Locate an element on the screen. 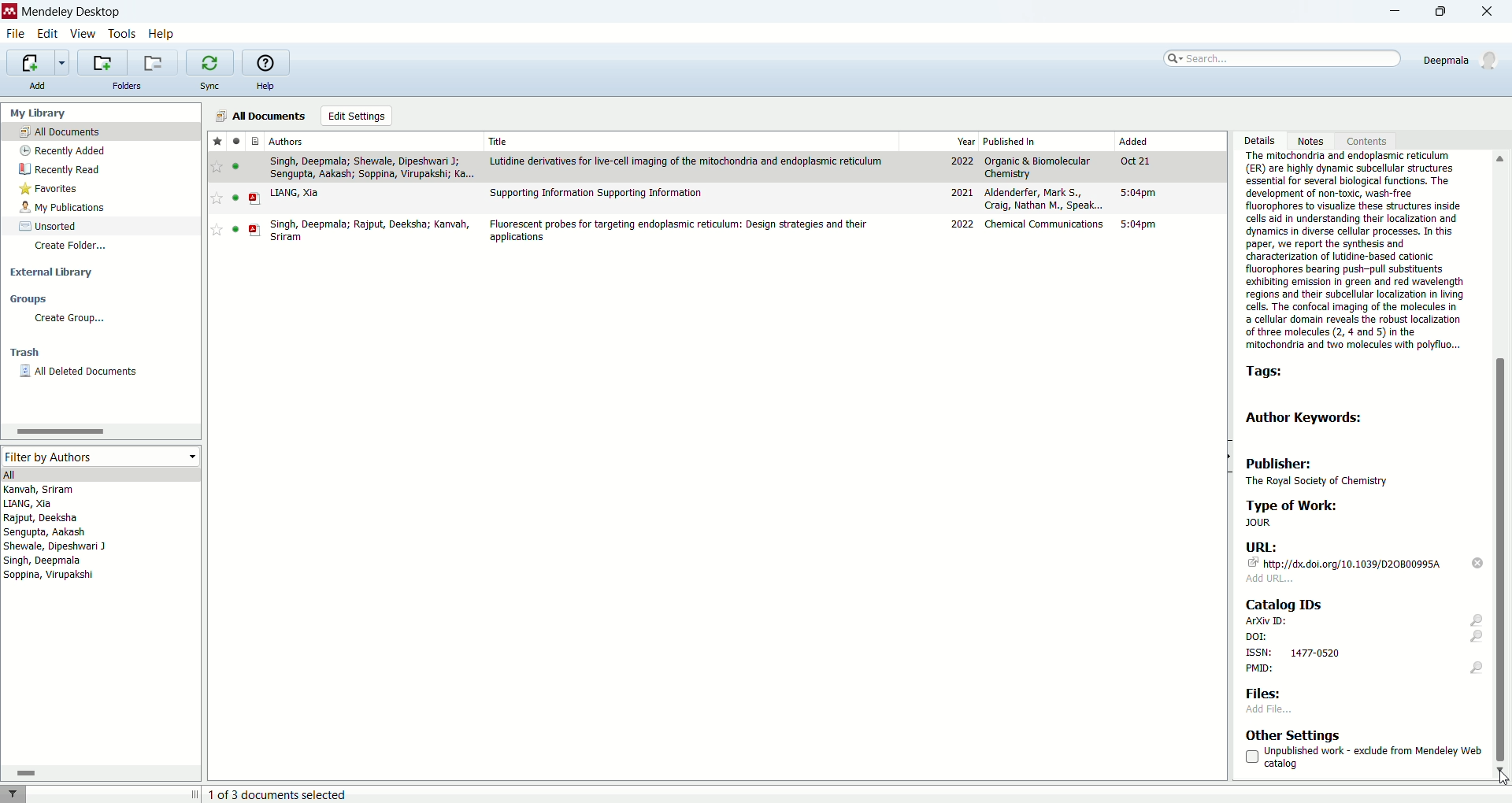 Image resolution: width=1512 pixels, height=803 pixels. sorted is located at coordinates (49, 226).